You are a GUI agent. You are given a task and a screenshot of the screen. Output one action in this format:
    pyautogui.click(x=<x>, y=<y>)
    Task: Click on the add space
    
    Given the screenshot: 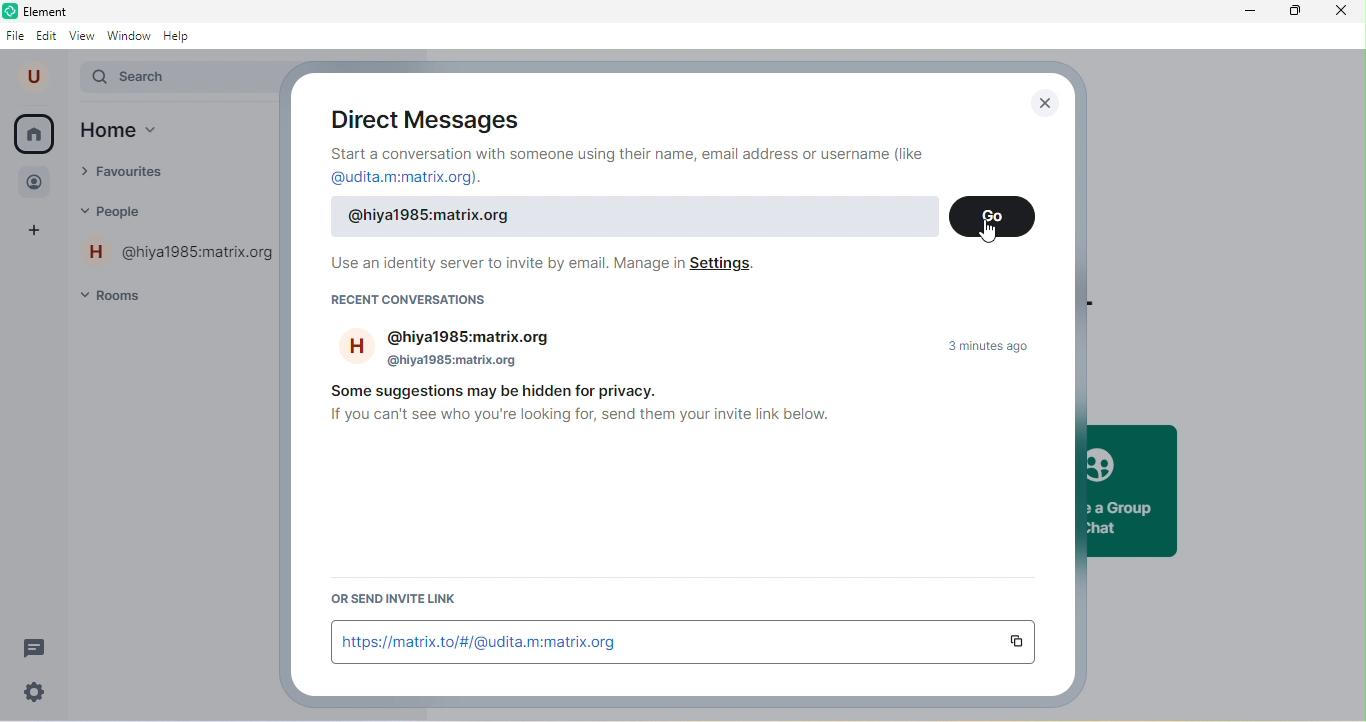 What is the action you would take?
    pyautogui.click(x=38, y=233)
    